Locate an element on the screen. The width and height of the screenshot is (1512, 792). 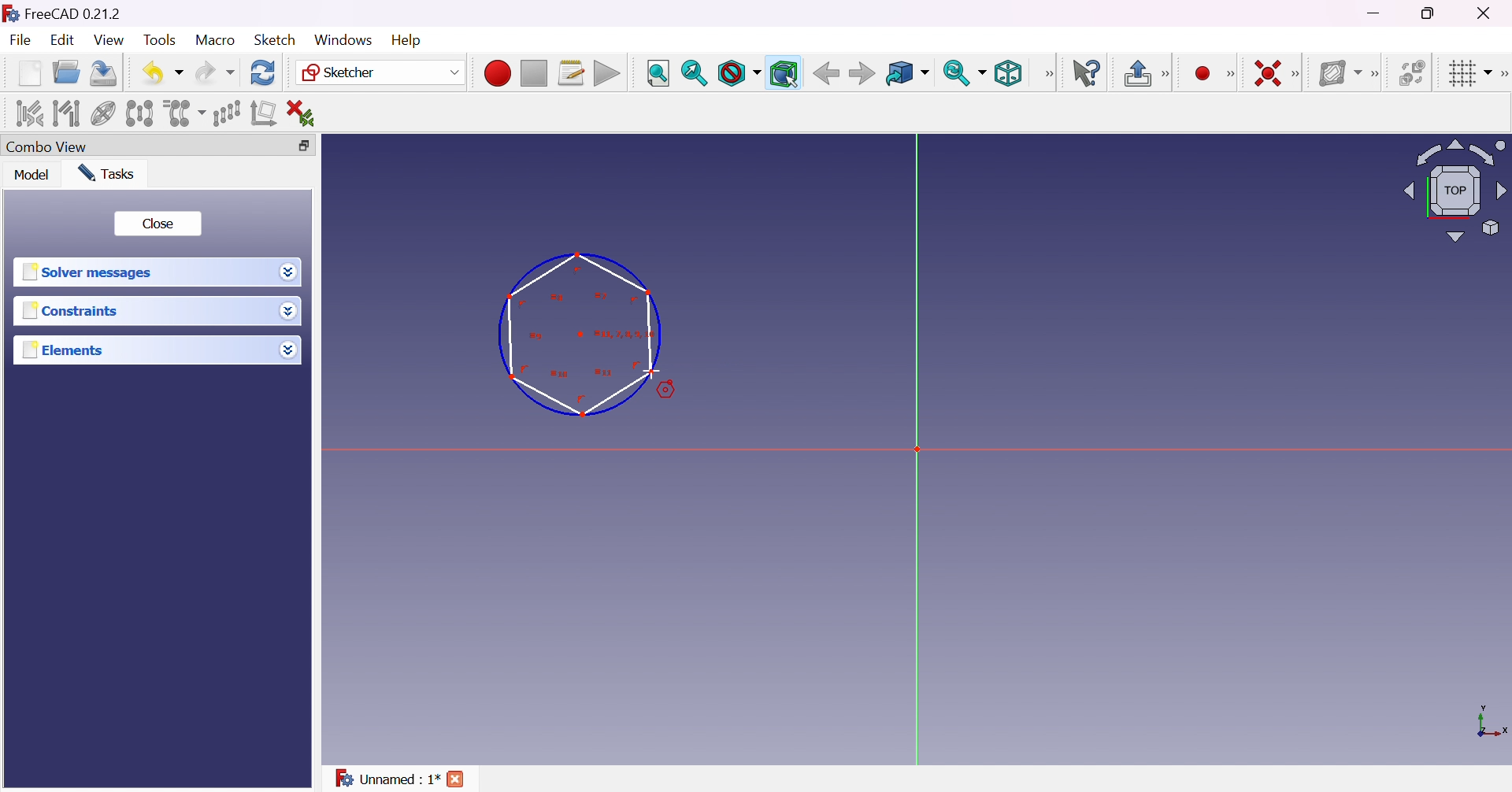
[Sketcher edit model] is located at coordinates (1167, 75).